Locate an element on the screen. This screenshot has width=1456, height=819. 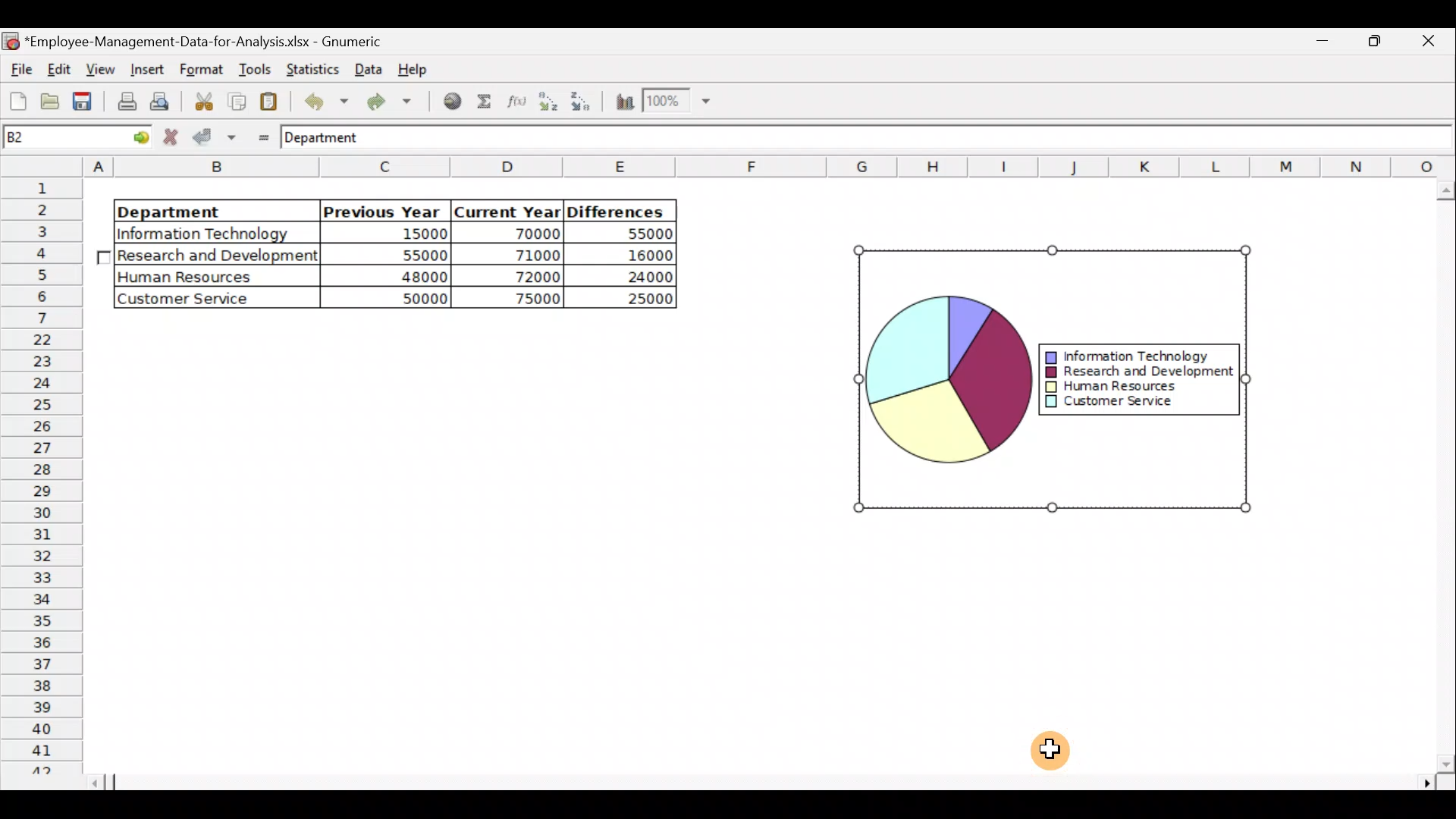
Differences is located at coordinates (616, 211).